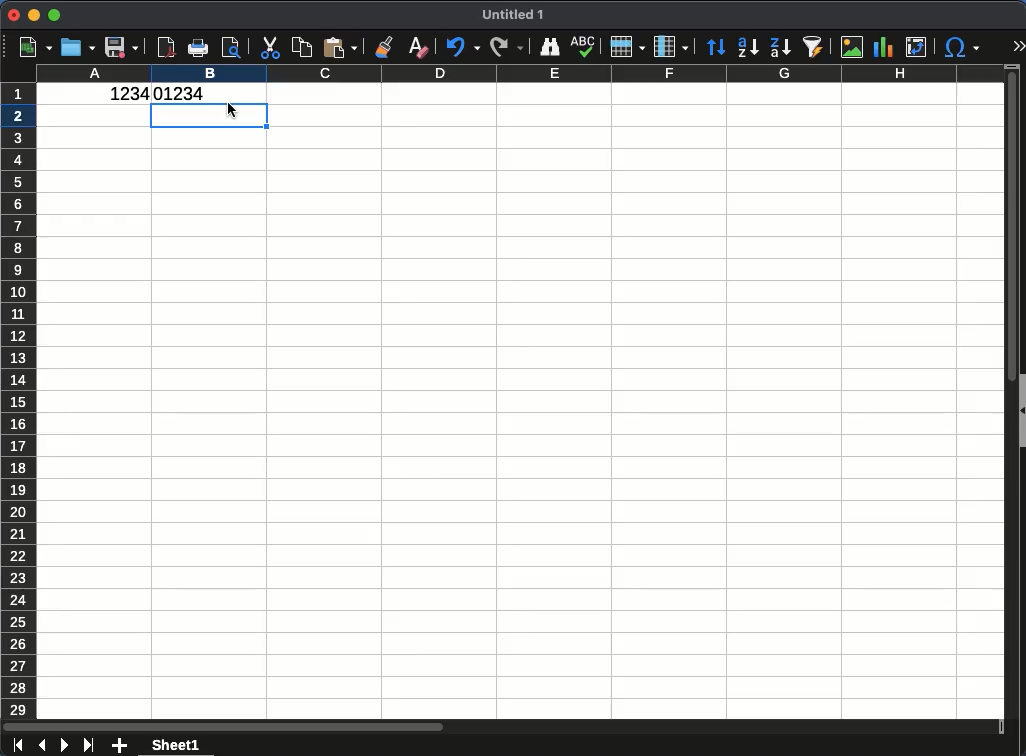  What do you see at coordinates (506, 45) in the screenshot?
I see `redo` at bounding box center [506, 45].